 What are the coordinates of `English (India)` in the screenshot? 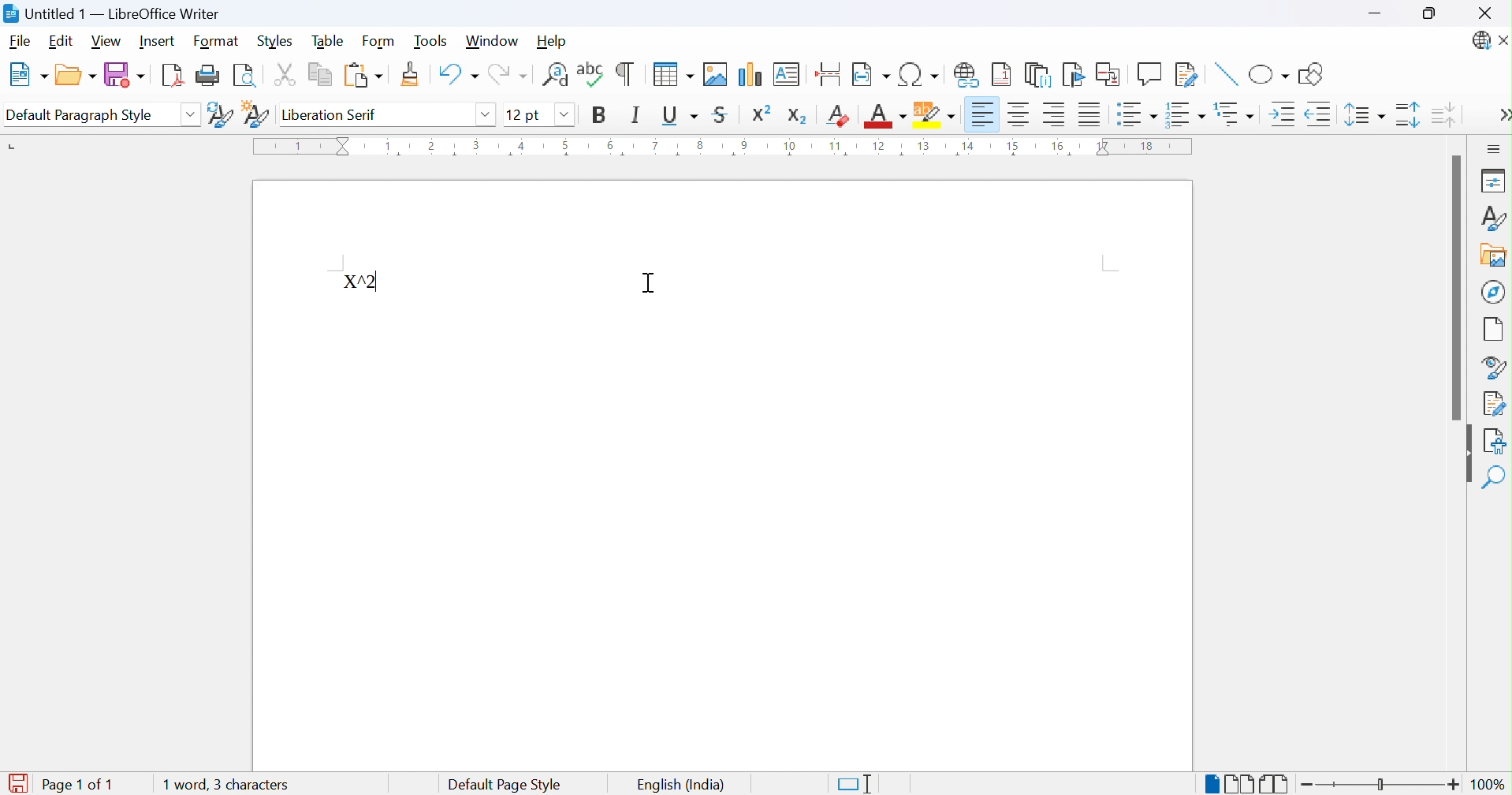 It's located at (683, 784).